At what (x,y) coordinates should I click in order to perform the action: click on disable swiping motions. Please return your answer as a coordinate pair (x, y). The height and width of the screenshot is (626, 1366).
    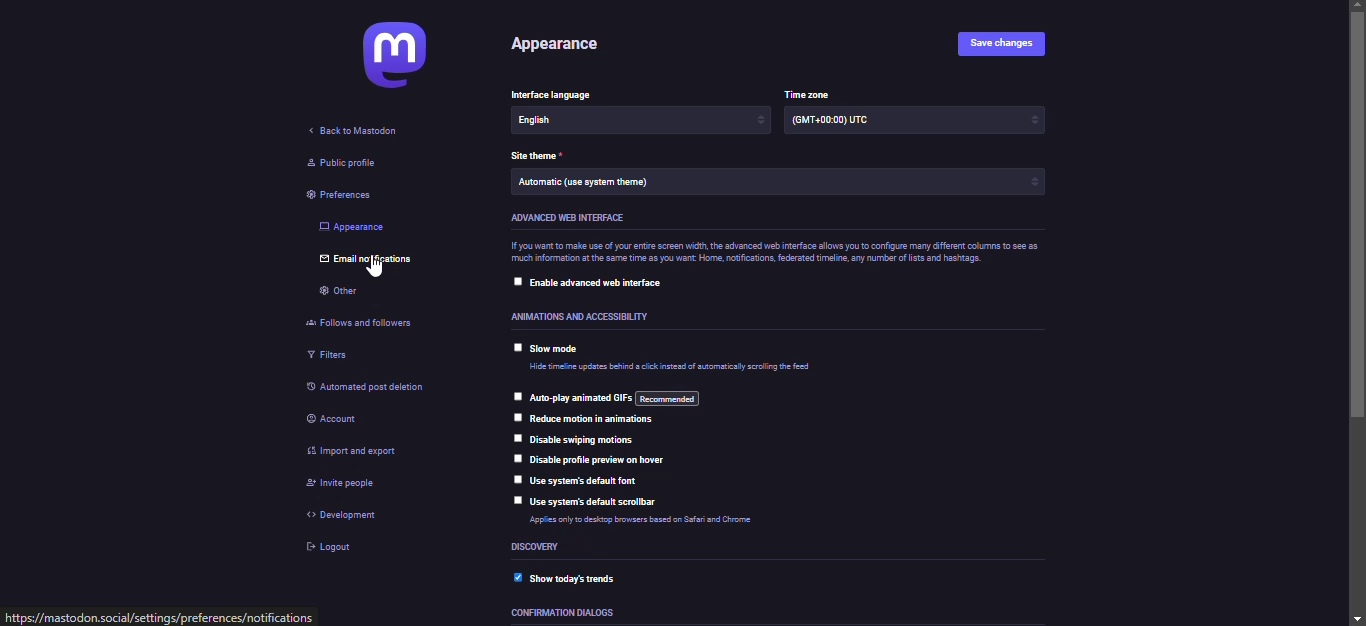
    Looking at the image, I should click on (584, 439).